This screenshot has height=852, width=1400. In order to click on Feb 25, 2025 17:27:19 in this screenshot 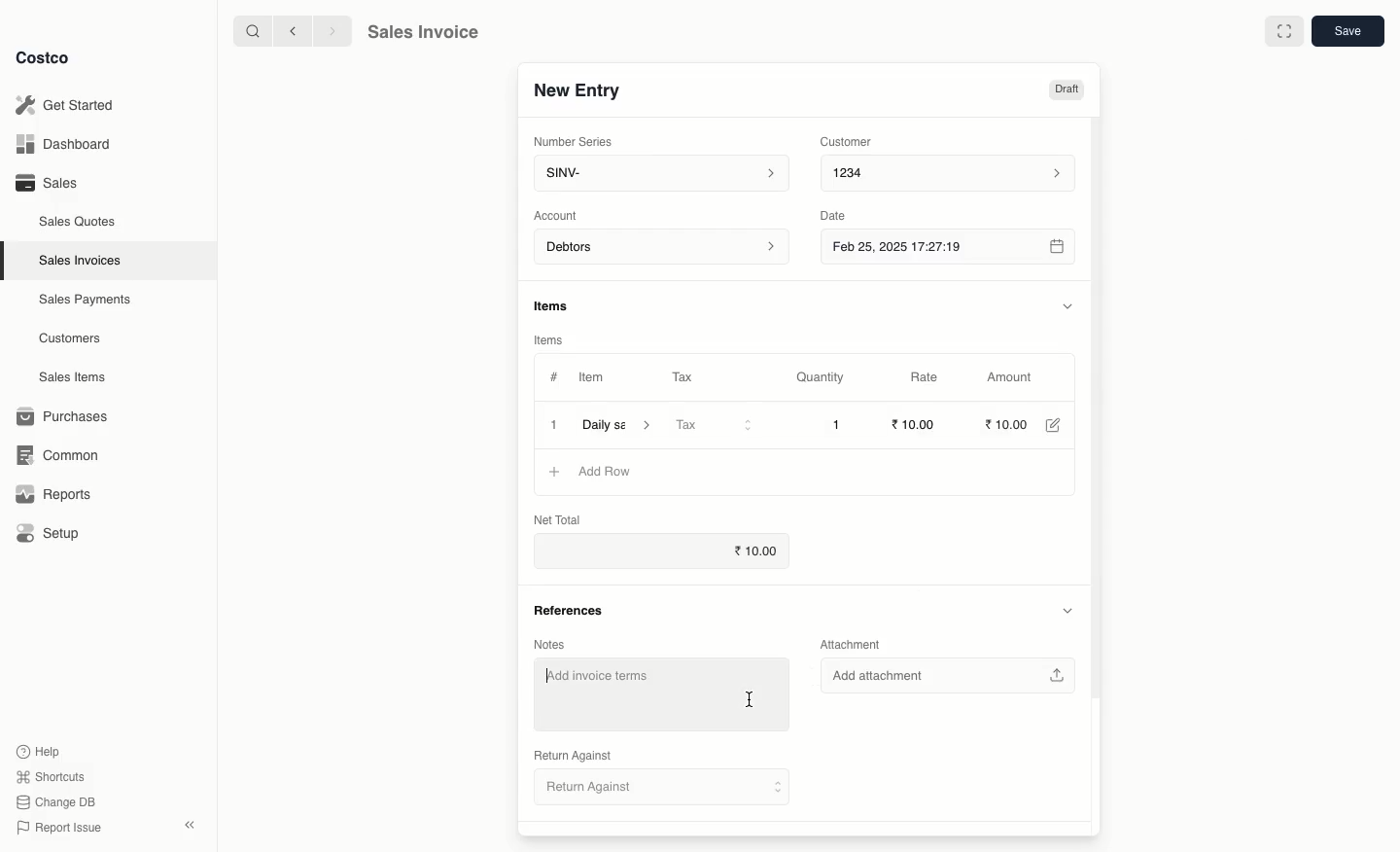, I will do `click(951, 250)`.